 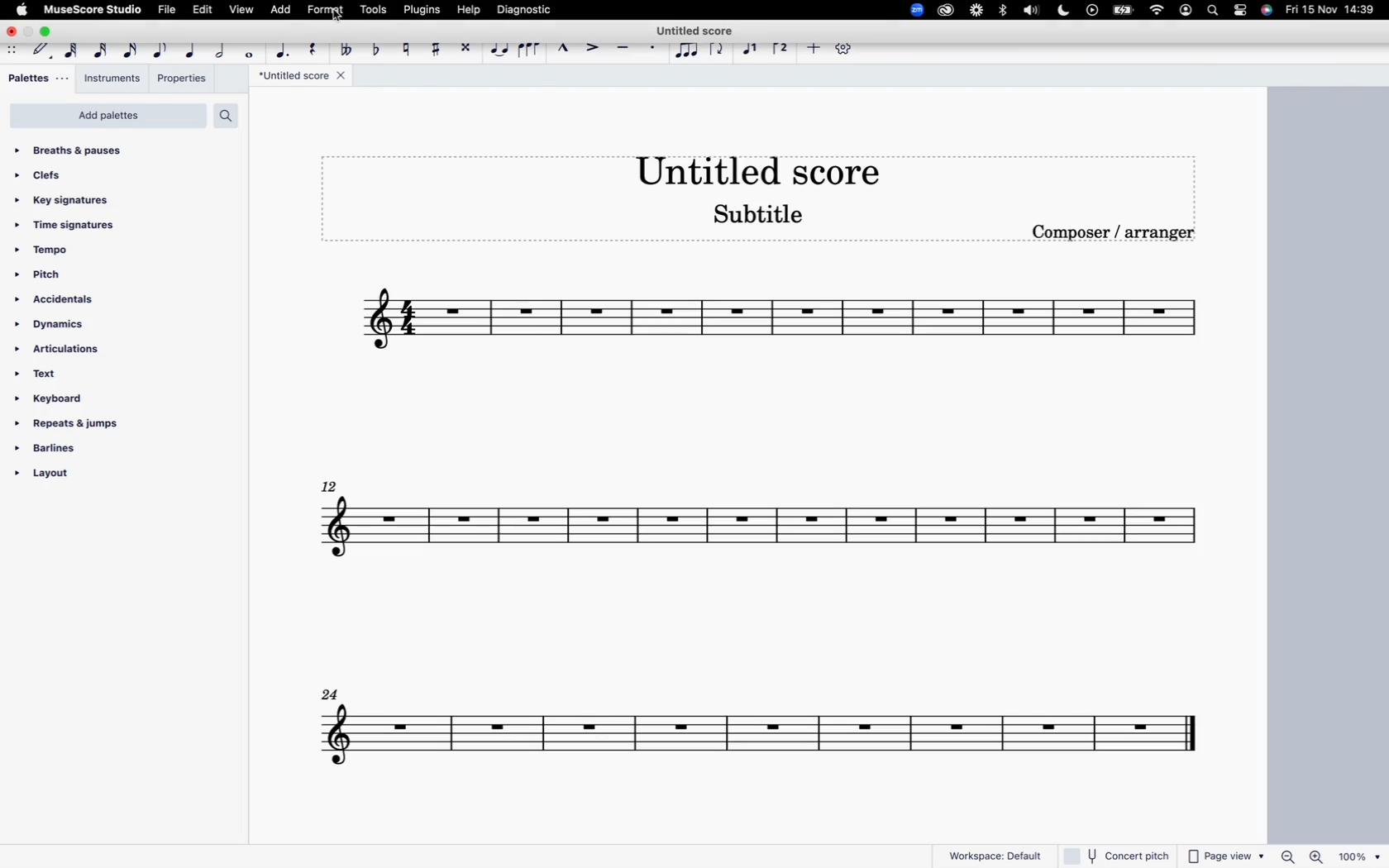 What do you see at coordinates (532, 50) in the screenshot?
I see `slur` at bounding box center [532, 50].